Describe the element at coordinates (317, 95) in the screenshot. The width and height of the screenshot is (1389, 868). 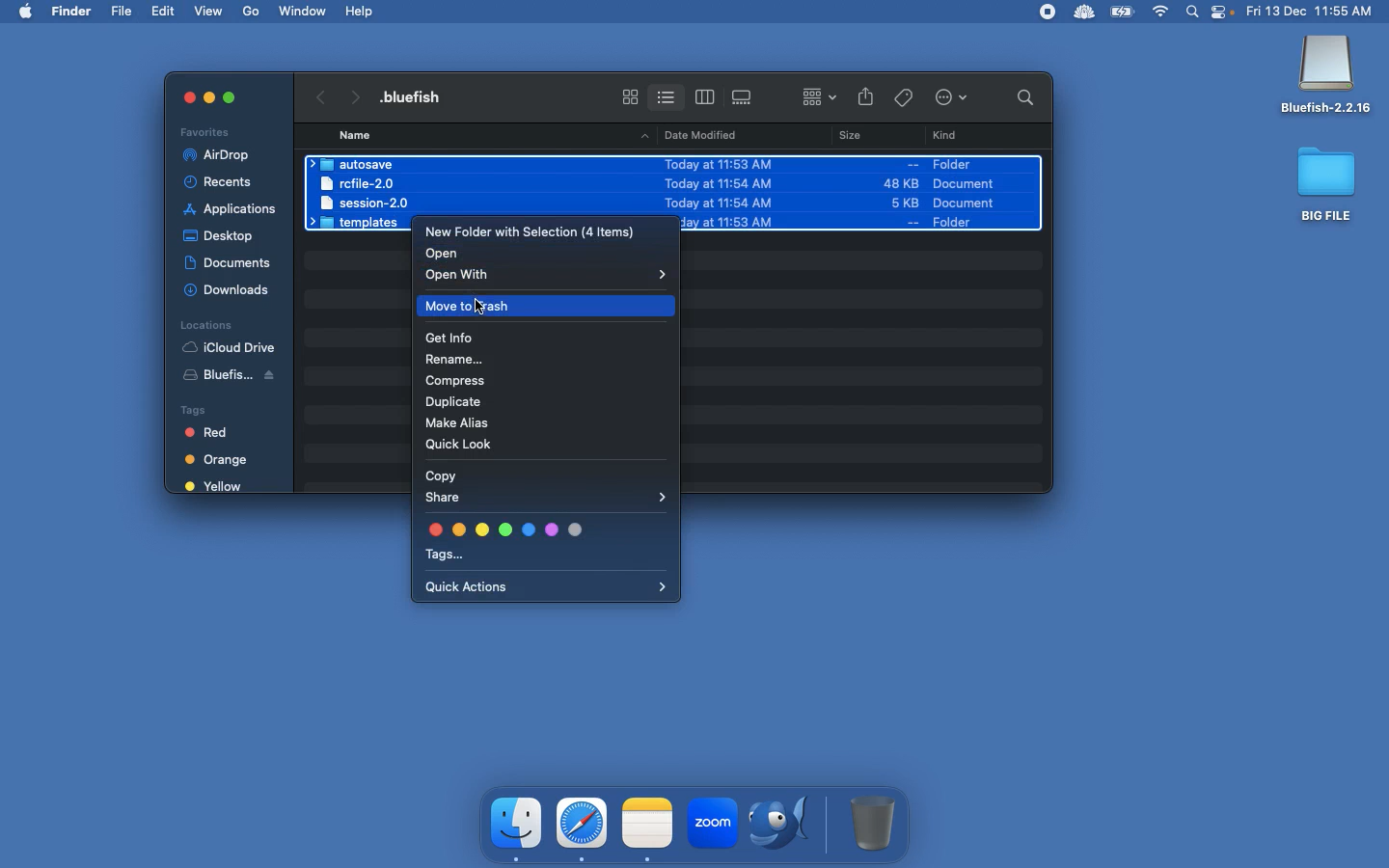
I see `go back` at that location.